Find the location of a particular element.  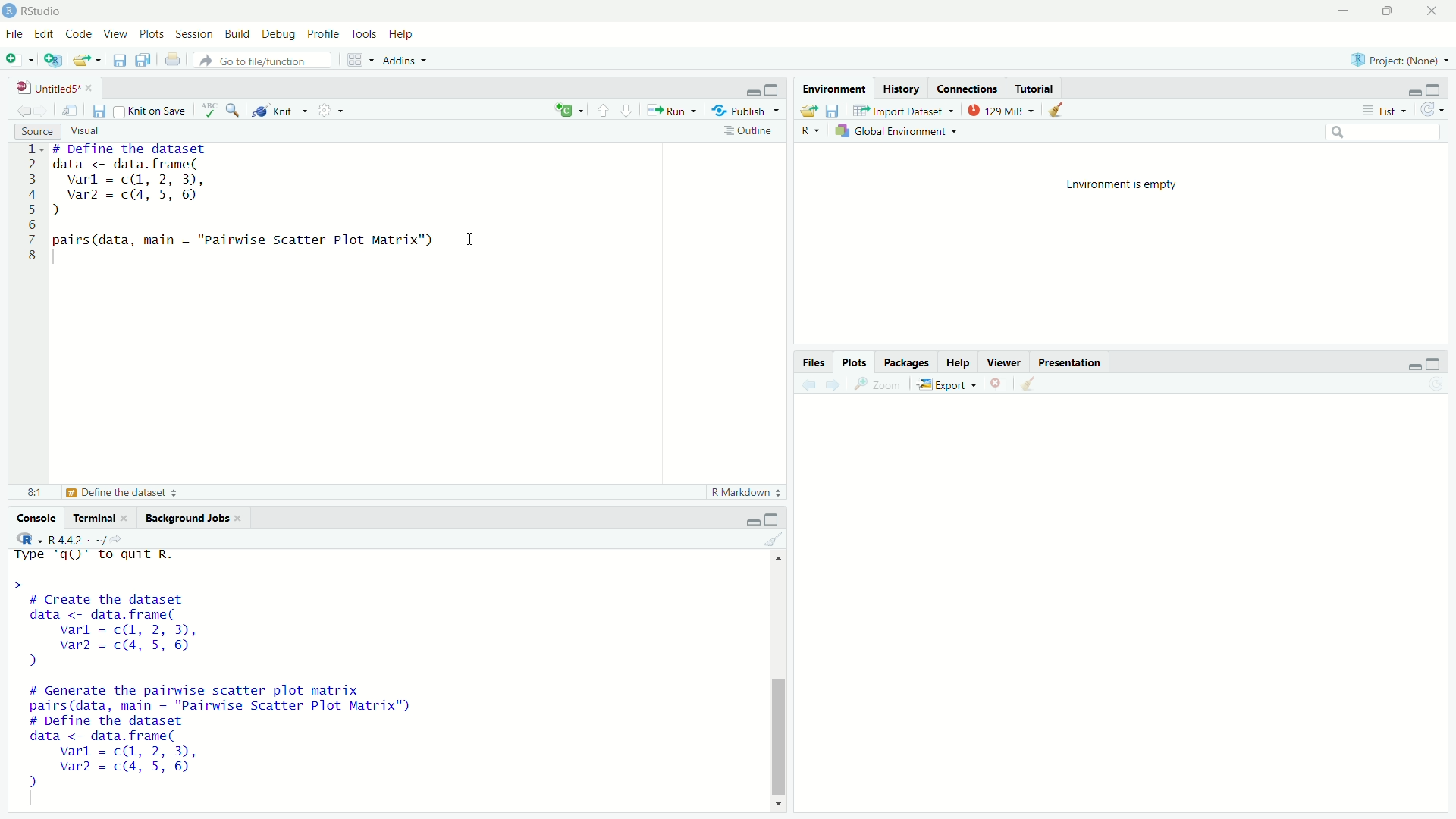

Packages is located at coordinates (908, 362).